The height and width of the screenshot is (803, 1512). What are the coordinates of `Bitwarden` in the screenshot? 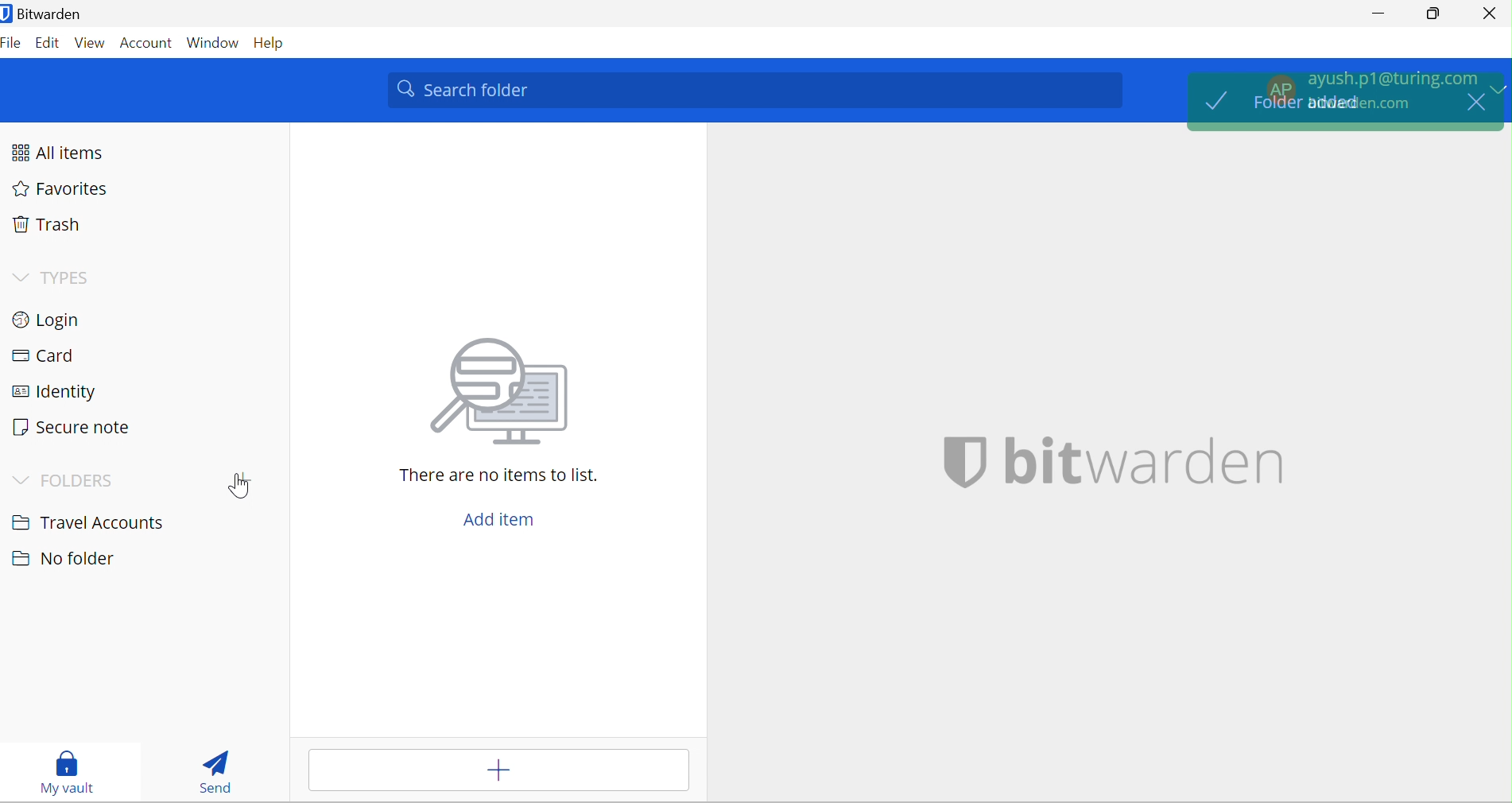 It's located at (45, 17).